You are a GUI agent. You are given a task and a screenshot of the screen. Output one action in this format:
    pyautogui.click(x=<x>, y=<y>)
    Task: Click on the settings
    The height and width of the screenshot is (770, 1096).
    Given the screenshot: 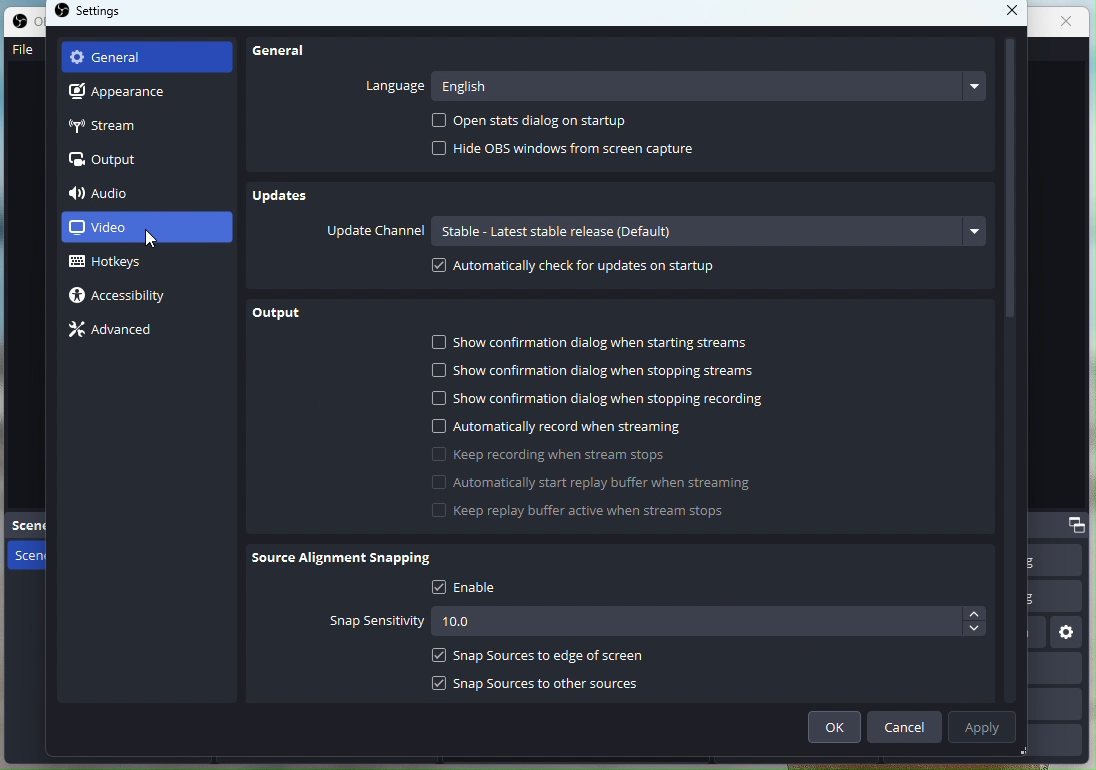 What is the action you would take?
    pyautogui.click(x=108, y=14)
    